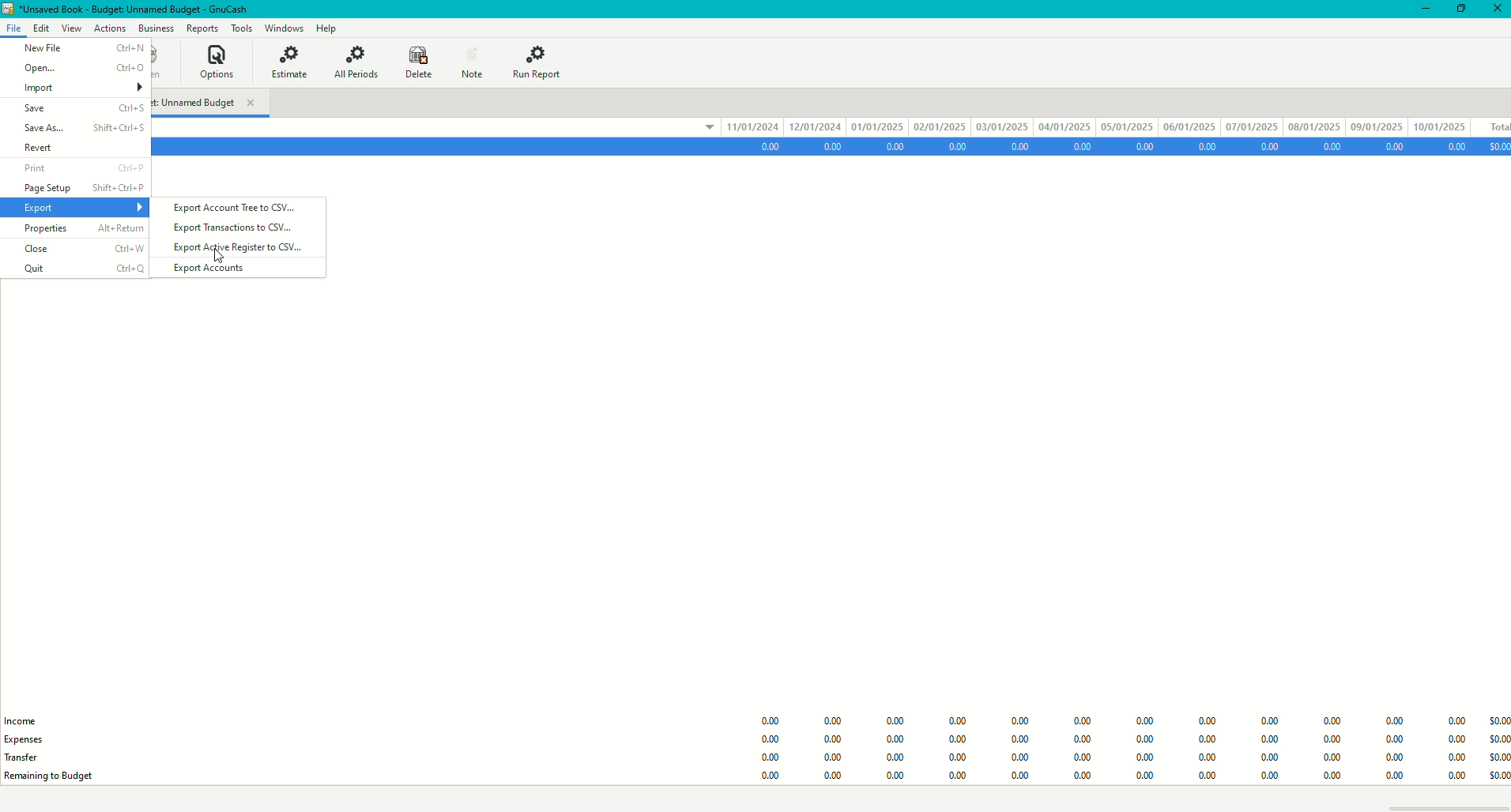 This screenshot has width=1511, height=812. I want to click on Cursor, so click(217, 254).